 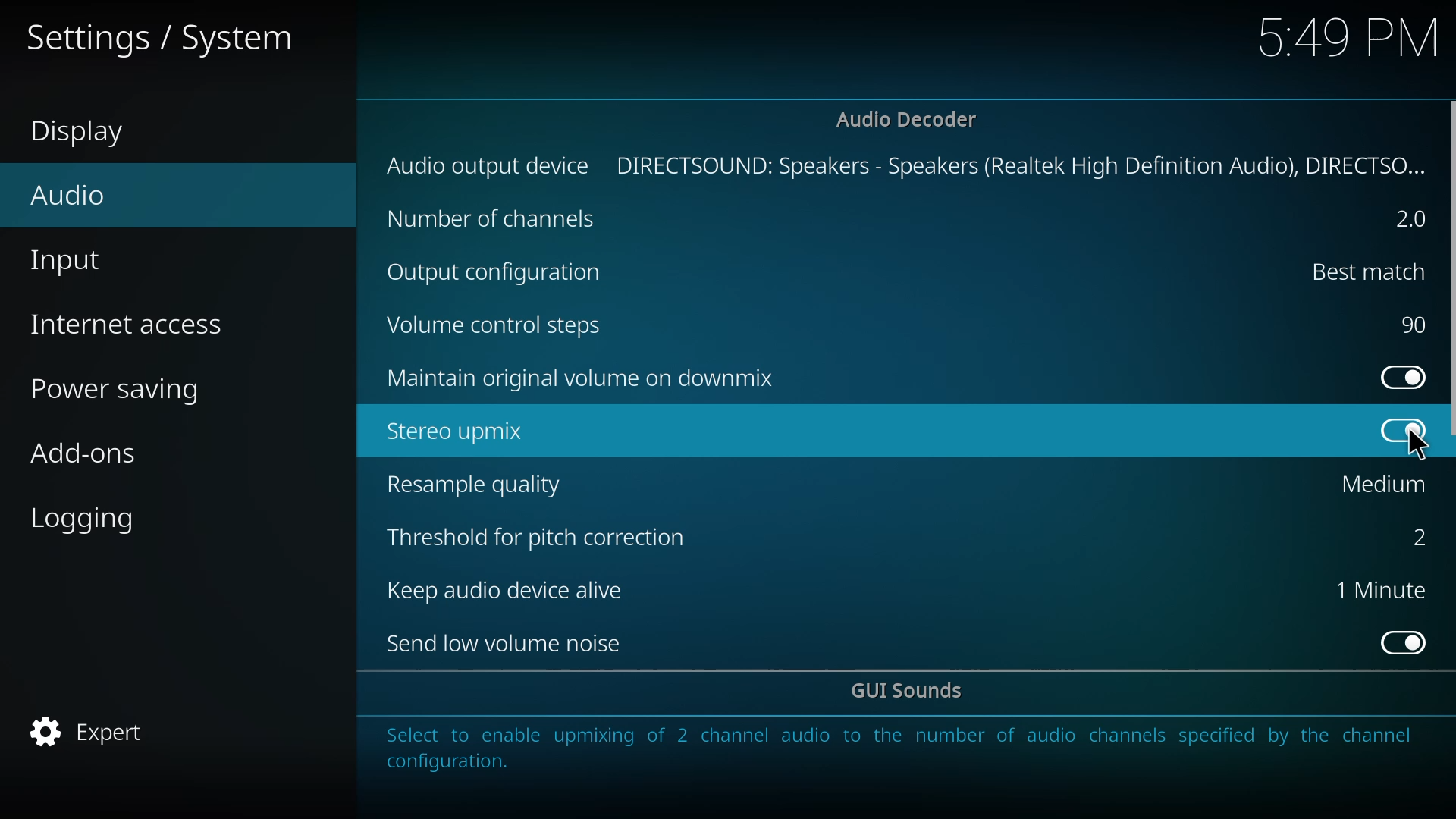 What do you see at coordinates (1383, 484) in the screenshot?
I see `medium` at bounding box center [1383, 484].